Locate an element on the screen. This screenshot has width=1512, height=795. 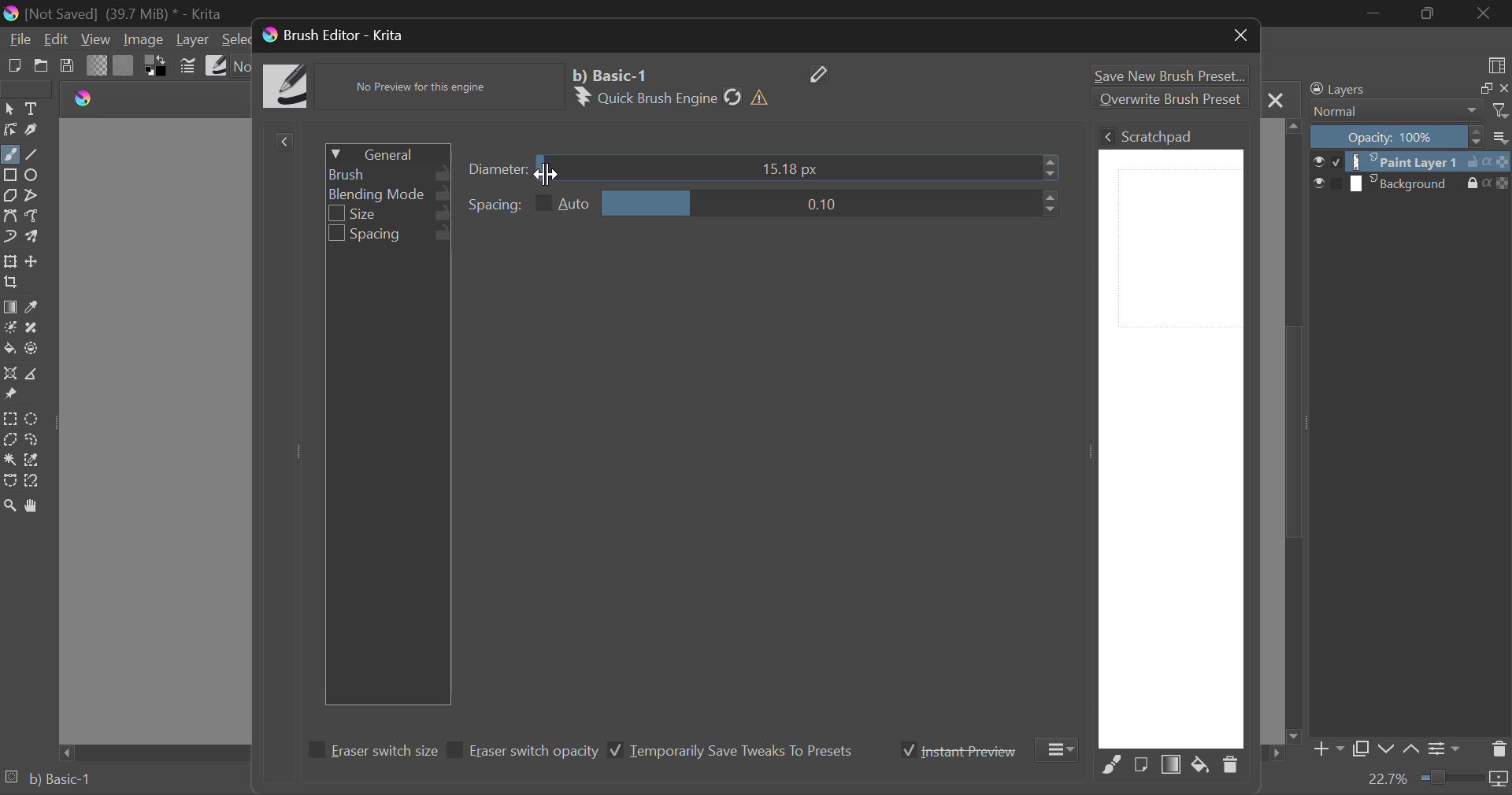
Zoom is located at coordinates (9, 505).